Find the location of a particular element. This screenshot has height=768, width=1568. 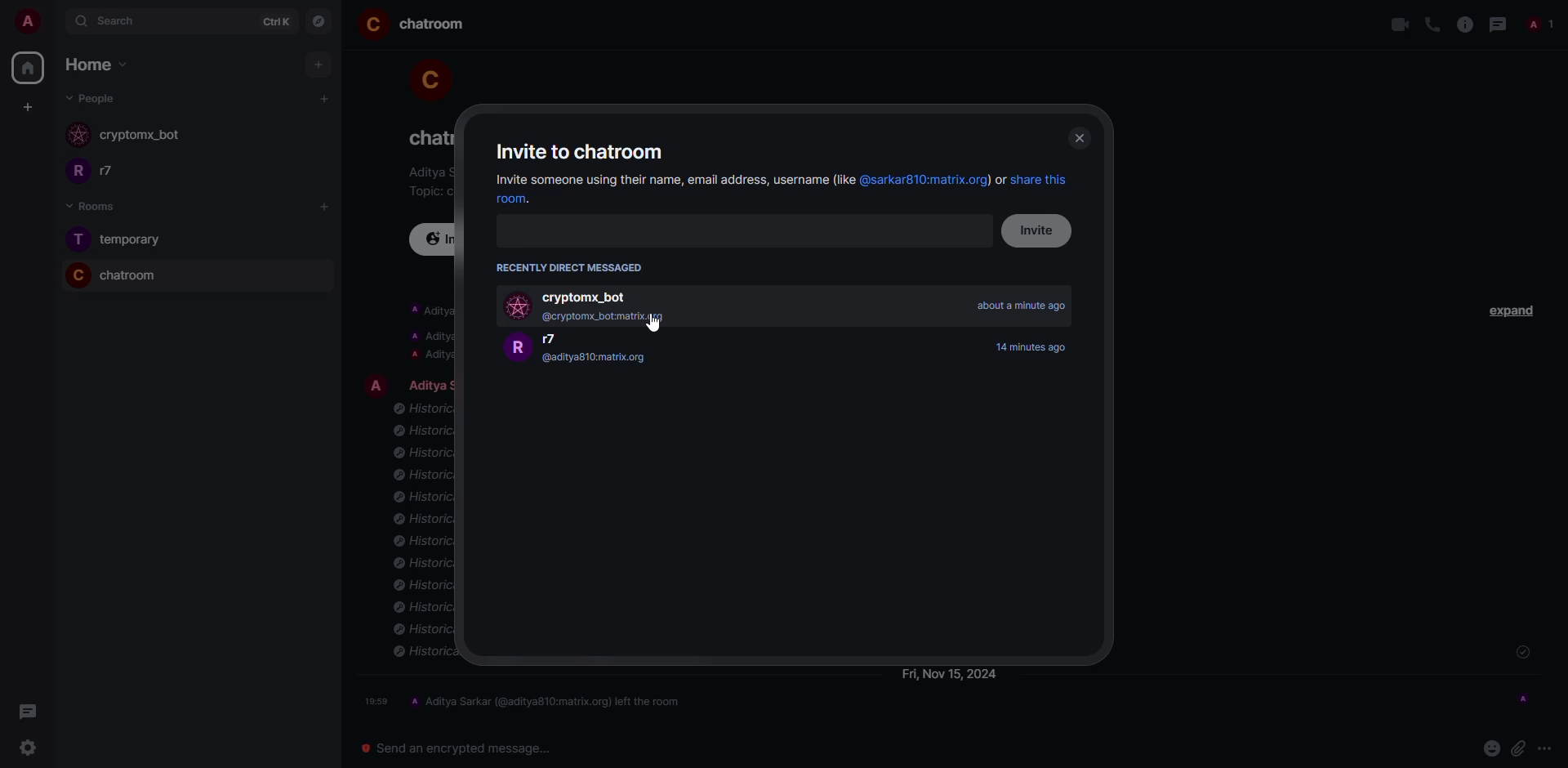

bot is located at coordinates (140, 136).